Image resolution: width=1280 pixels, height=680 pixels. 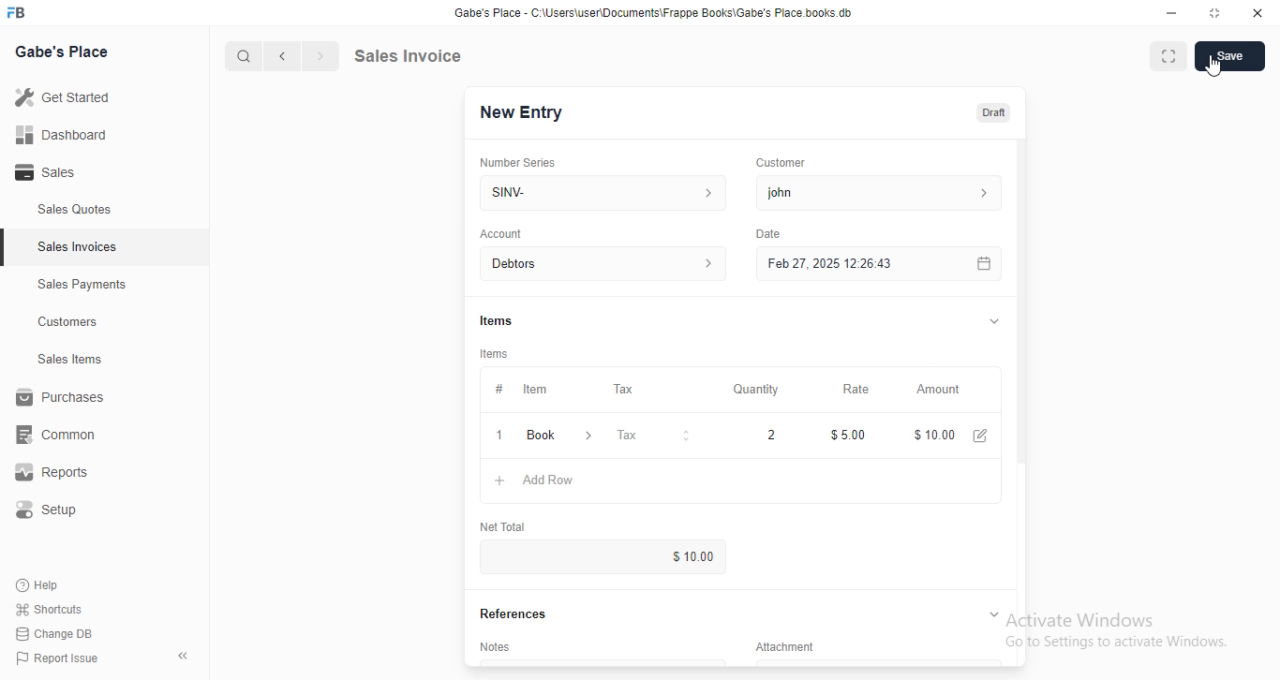 What do you see at coordinates (599, 263) in the screenshot?
I see `Debtors >` at bounding box center [599, 263].